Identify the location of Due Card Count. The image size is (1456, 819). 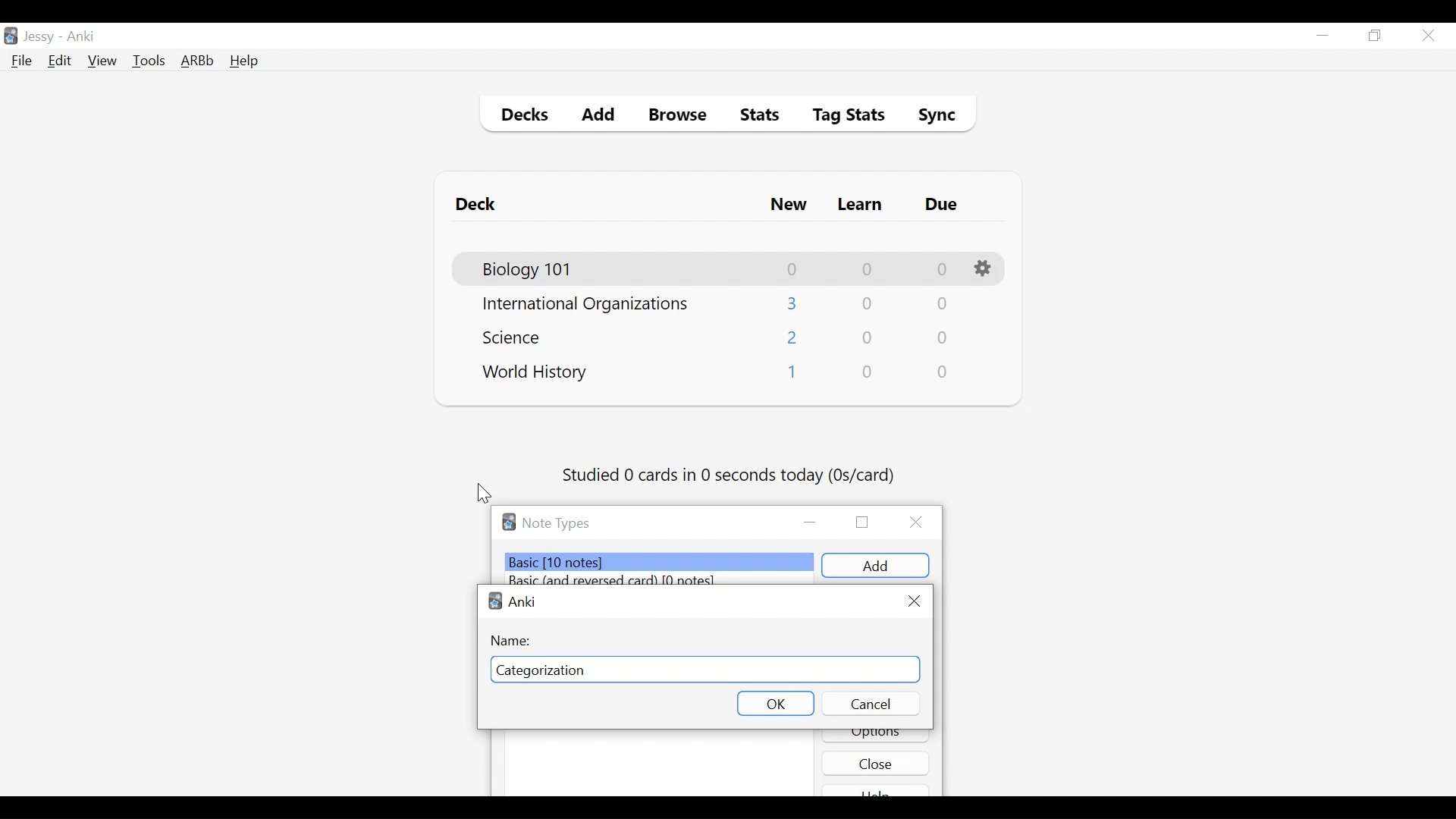
(943, 339).